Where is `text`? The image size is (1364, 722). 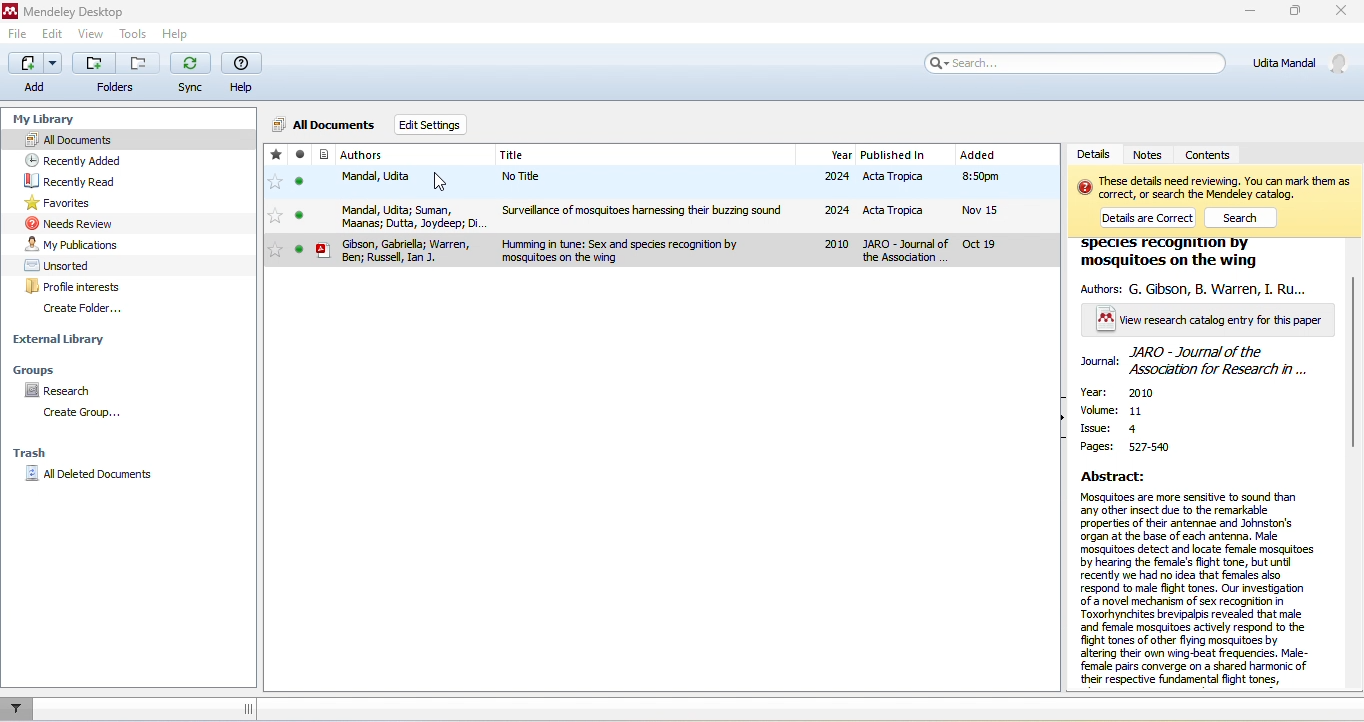 text is located at coordinates (1214, 188).